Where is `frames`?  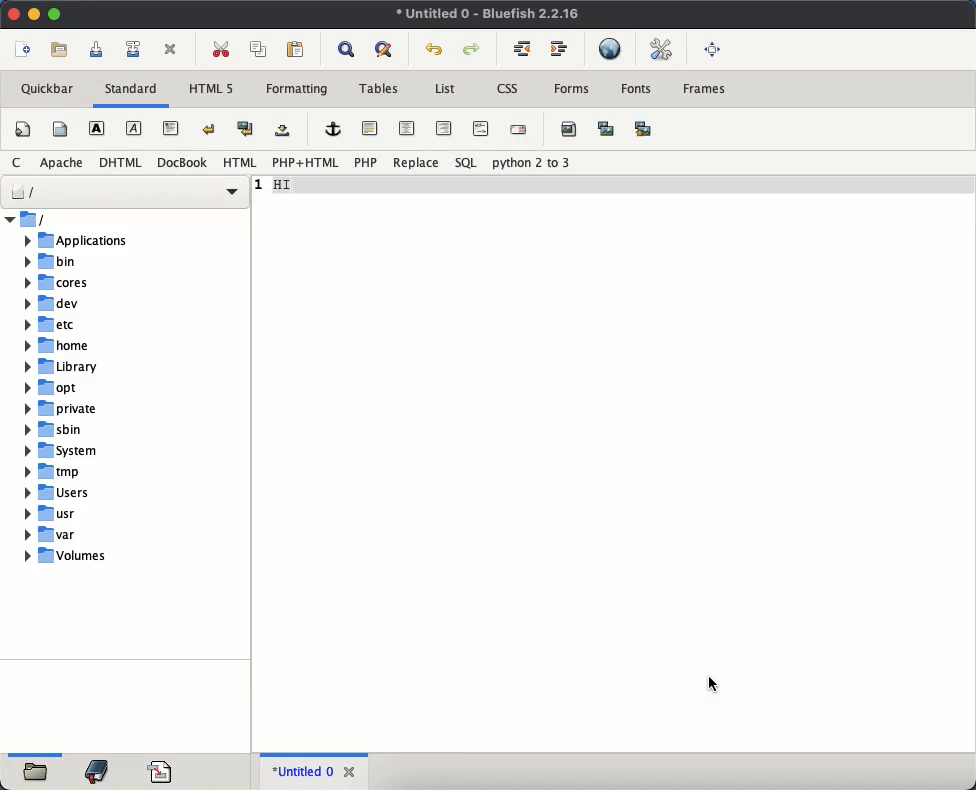
frames is located at coordinates (704, 90).